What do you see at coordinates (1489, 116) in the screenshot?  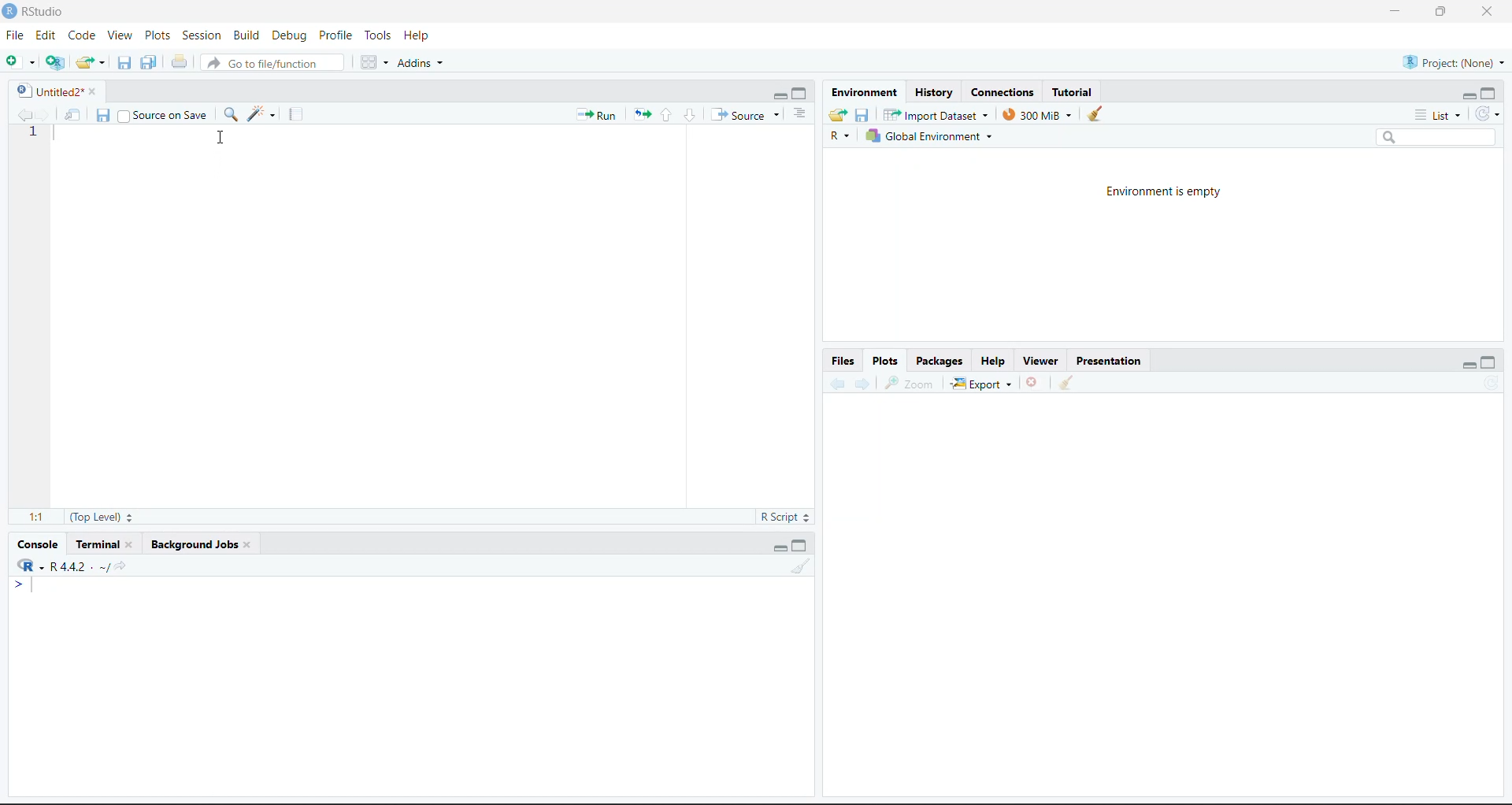 I see `refresh` at bounding box center [1489, 116].